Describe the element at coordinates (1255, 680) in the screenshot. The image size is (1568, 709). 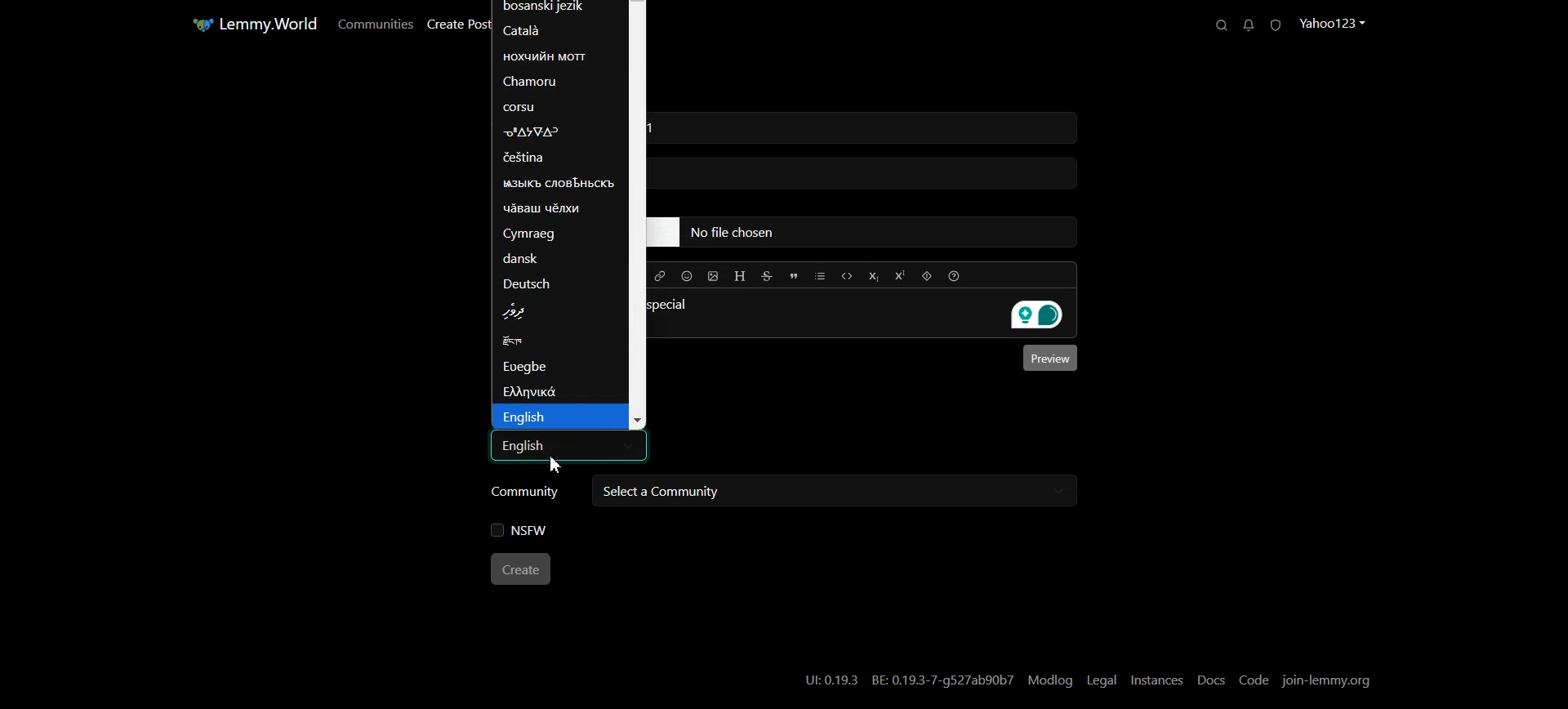
I see `Code` at that location.